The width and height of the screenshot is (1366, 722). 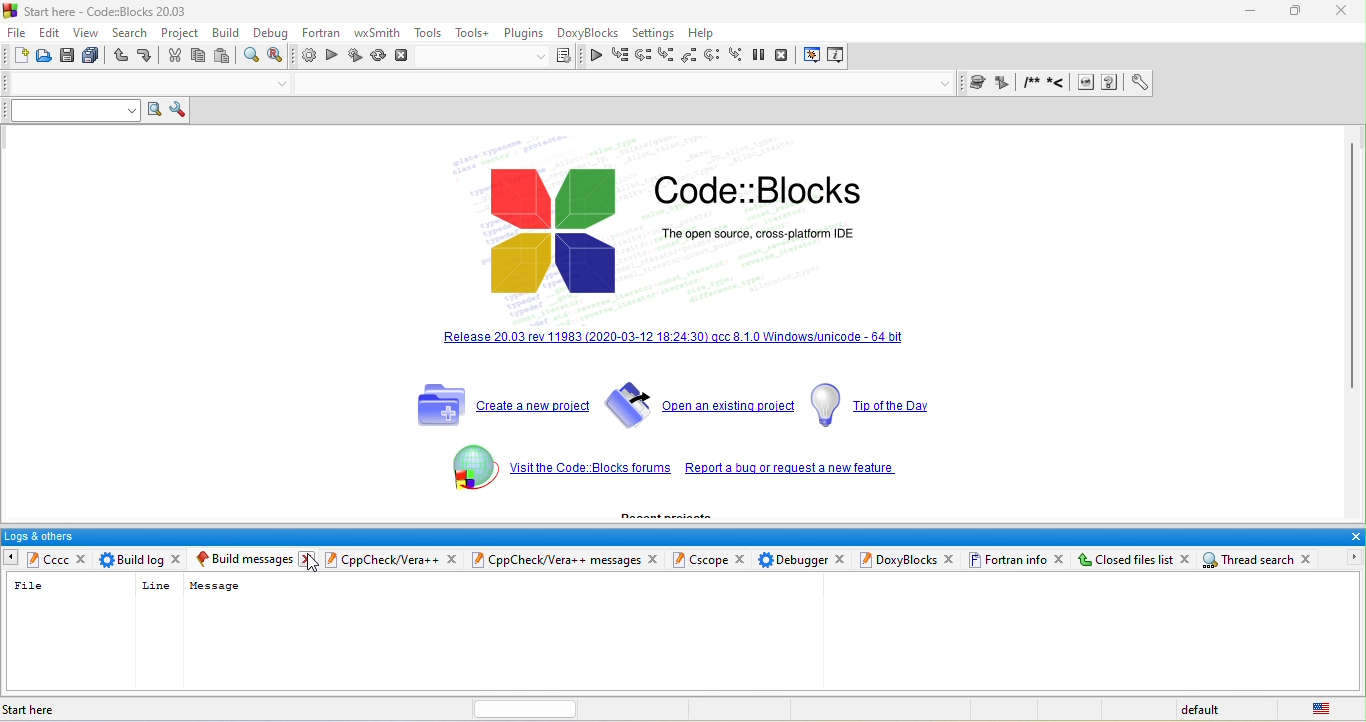 I want to click on save, so click(x=67, y=57).